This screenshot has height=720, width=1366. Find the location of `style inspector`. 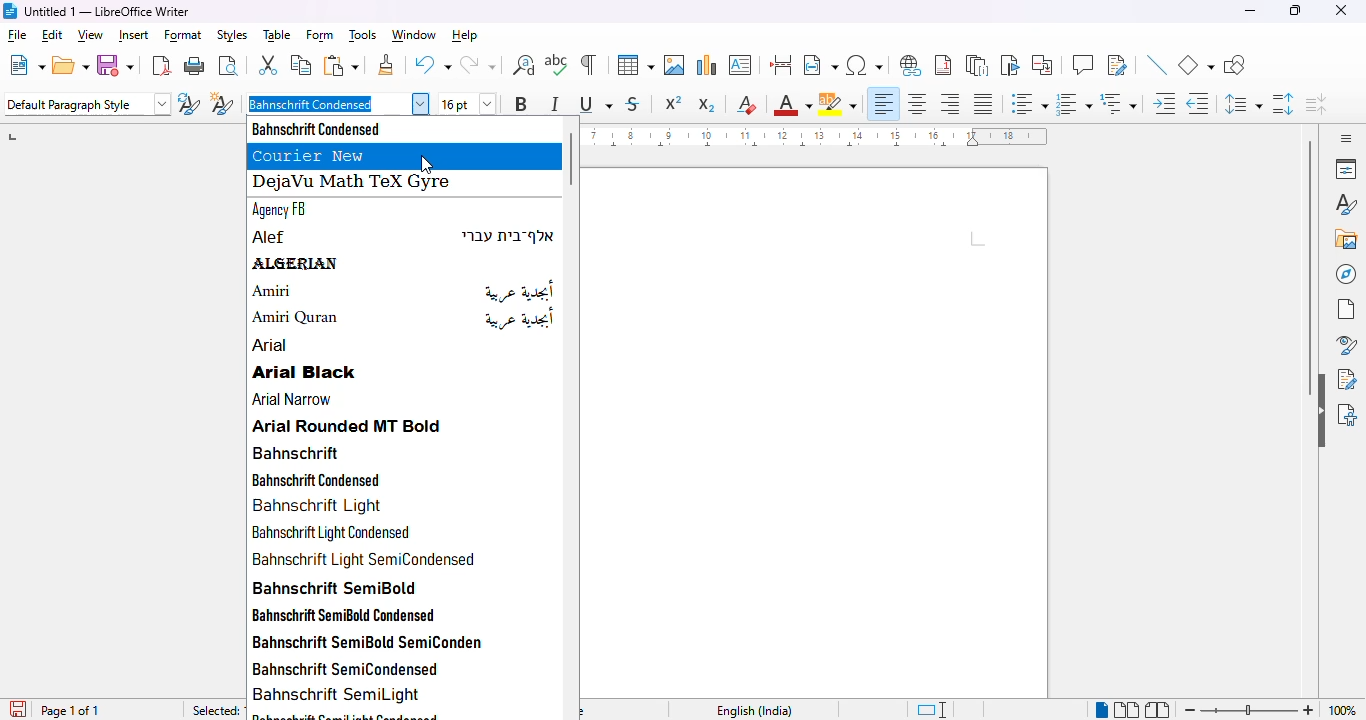

style inspector is located at coordinates (1345, 345).